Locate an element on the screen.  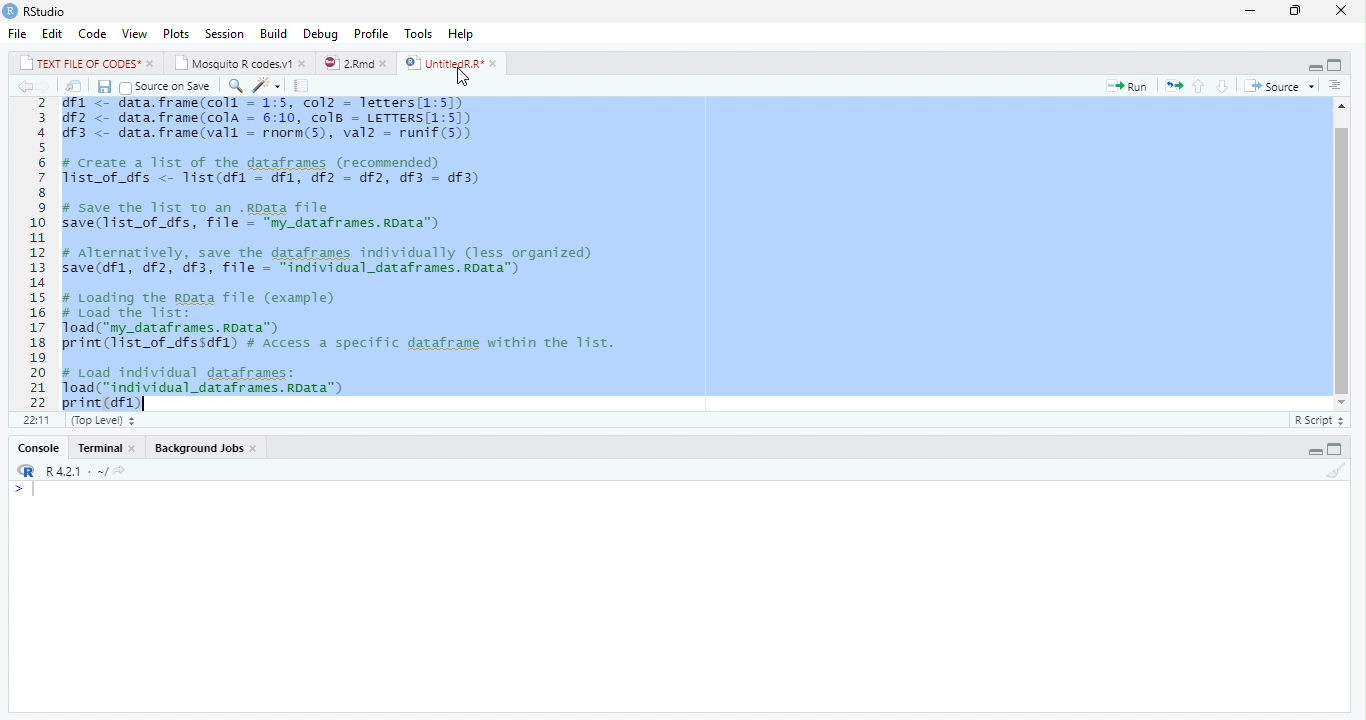
Clear is located at coordinates (1338, 472).